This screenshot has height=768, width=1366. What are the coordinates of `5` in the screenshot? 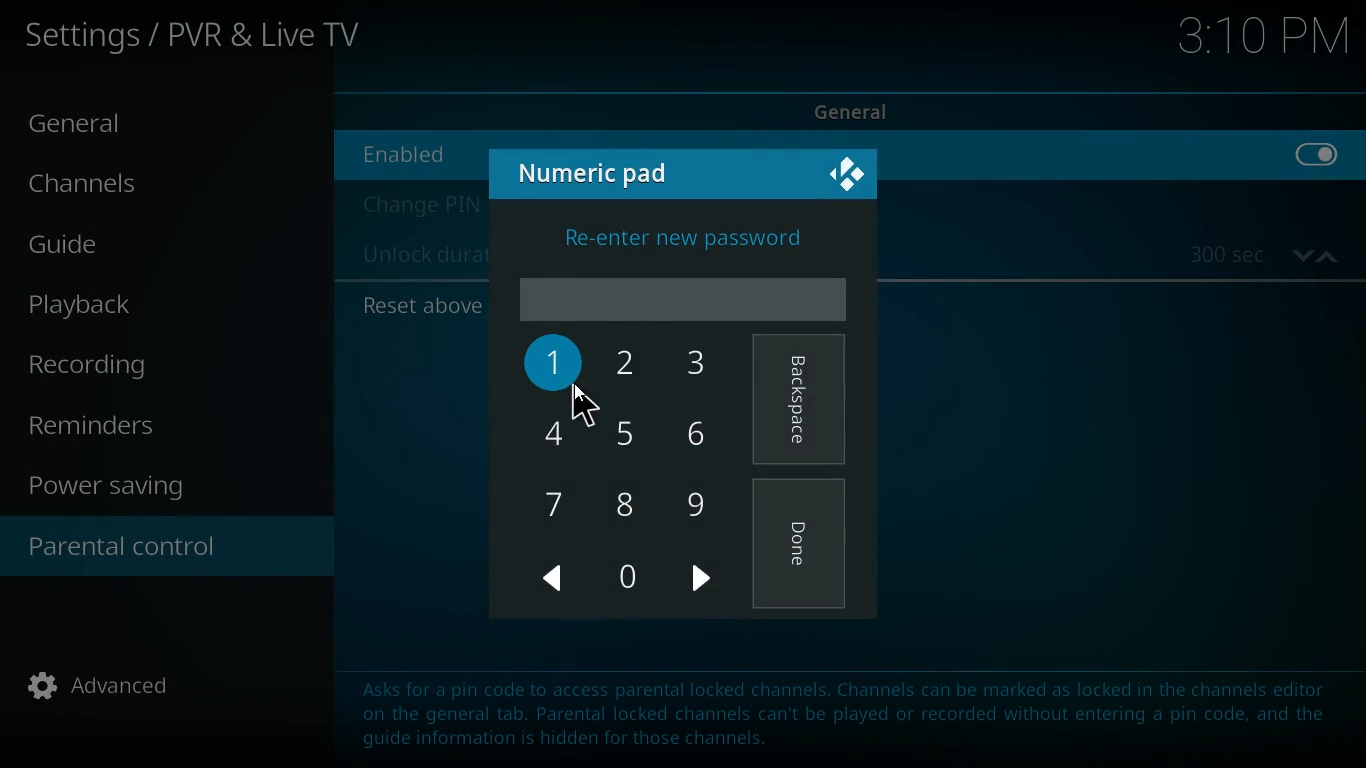 It's located at (629, 432).